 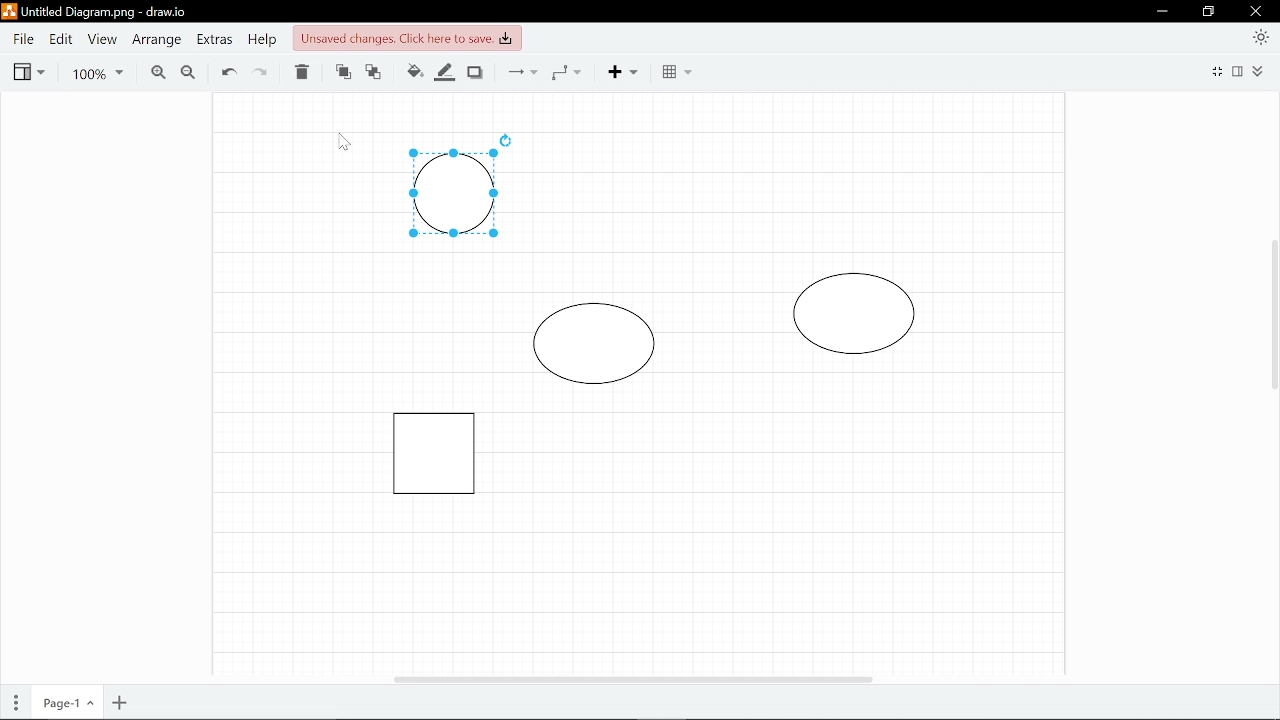 What do you see at coordinates (377, 73) in the screenshot?
I see `To bak` at bounding box center [377, 73].